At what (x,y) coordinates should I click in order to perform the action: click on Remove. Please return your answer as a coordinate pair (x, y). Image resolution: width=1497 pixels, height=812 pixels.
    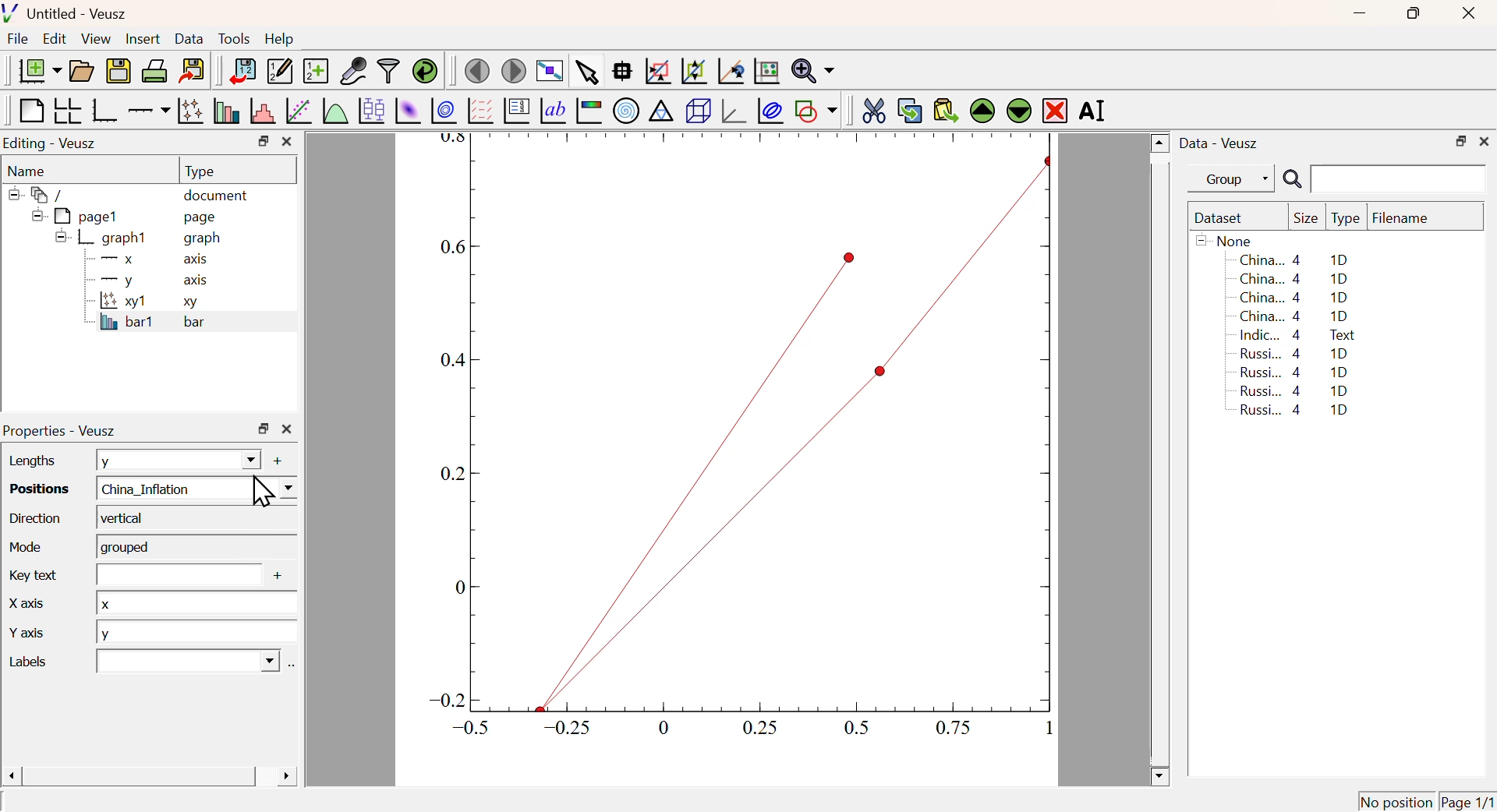
    Looking at the image, I should click on (1056, 111).